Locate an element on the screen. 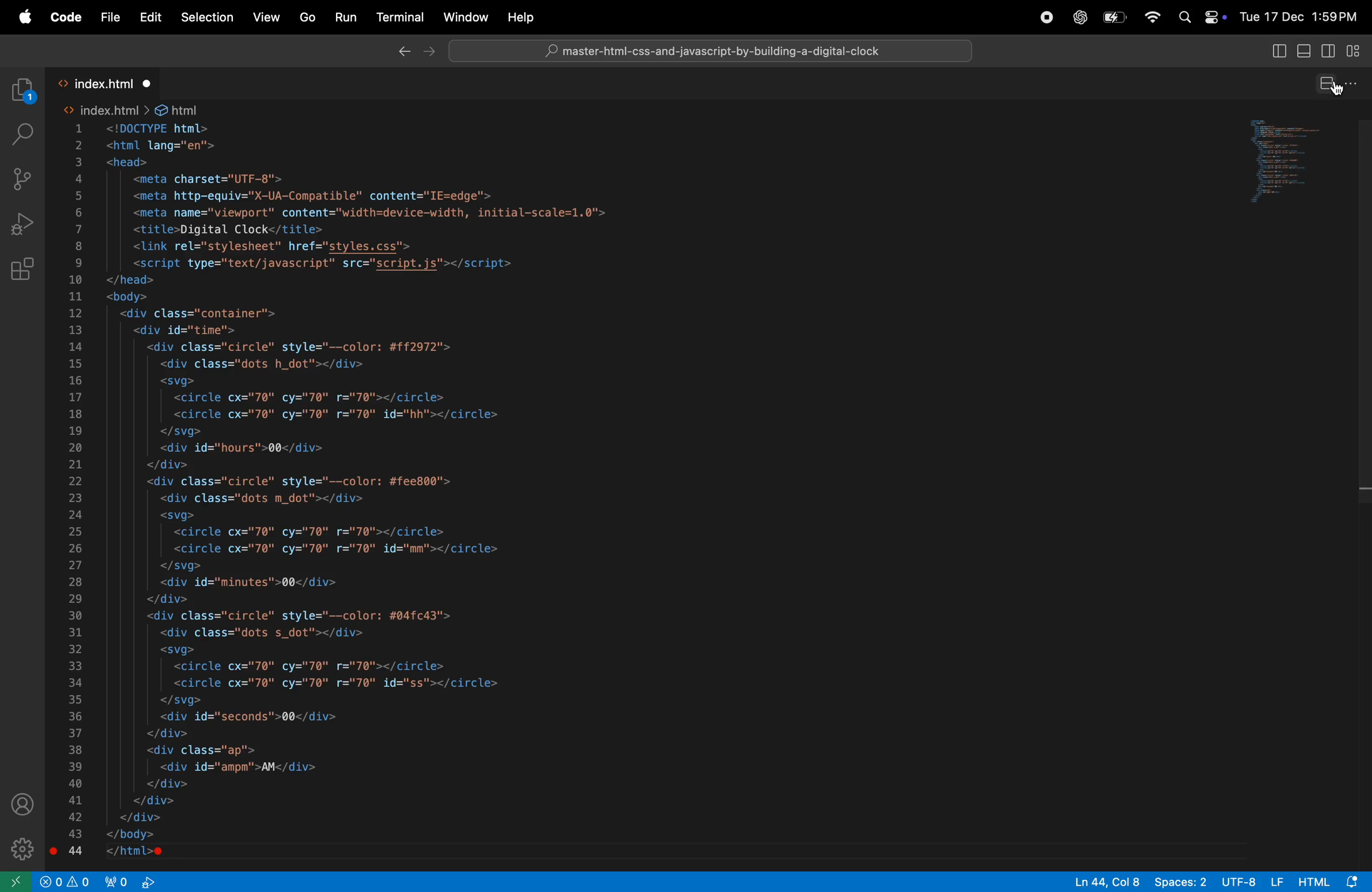 The height and width of the screenshot is (892, 1372). ln 44 col 8 is located at coordinates (1101, 882).